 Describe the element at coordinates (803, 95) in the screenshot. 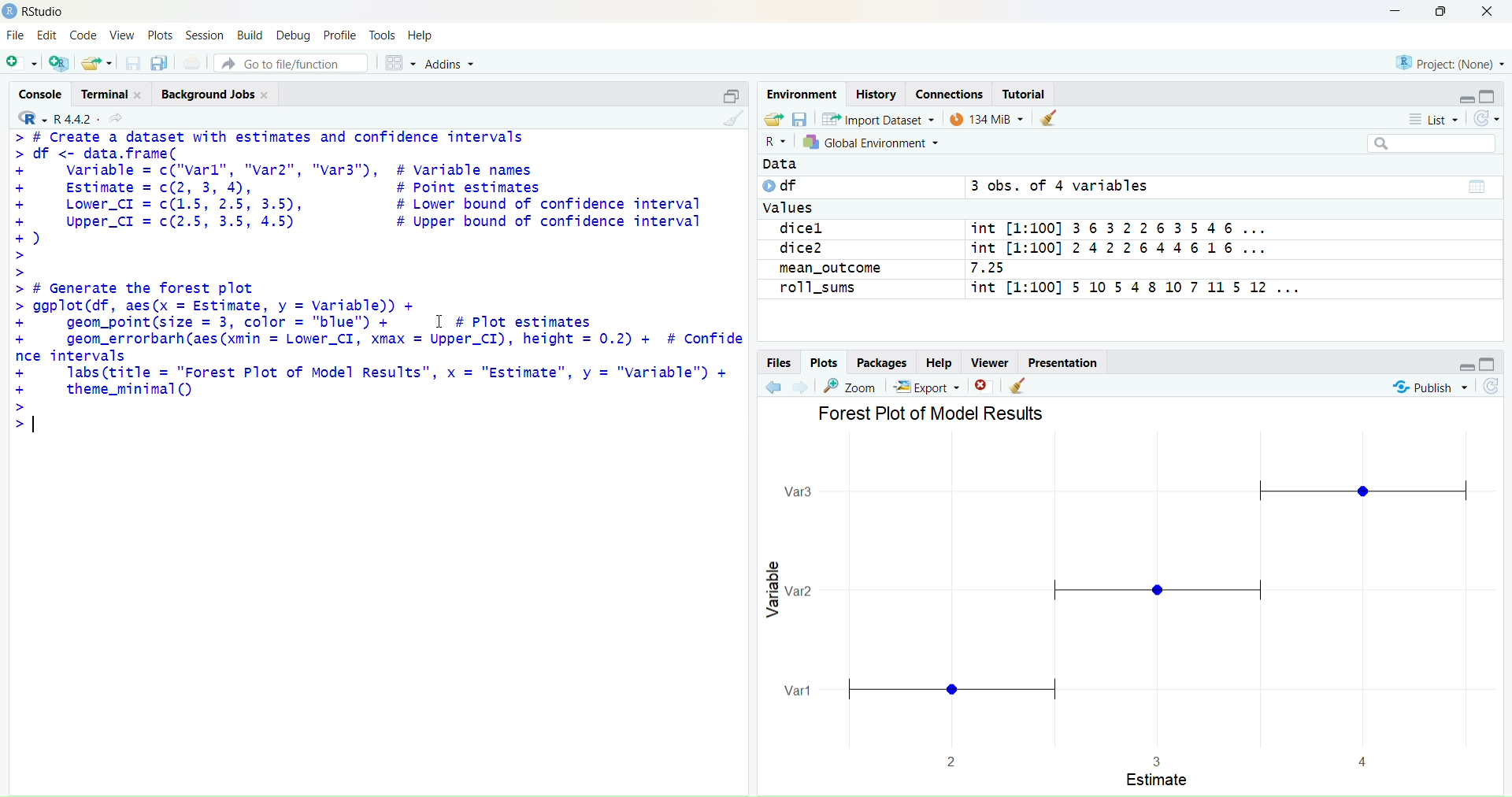

I see `Environment` at that location.